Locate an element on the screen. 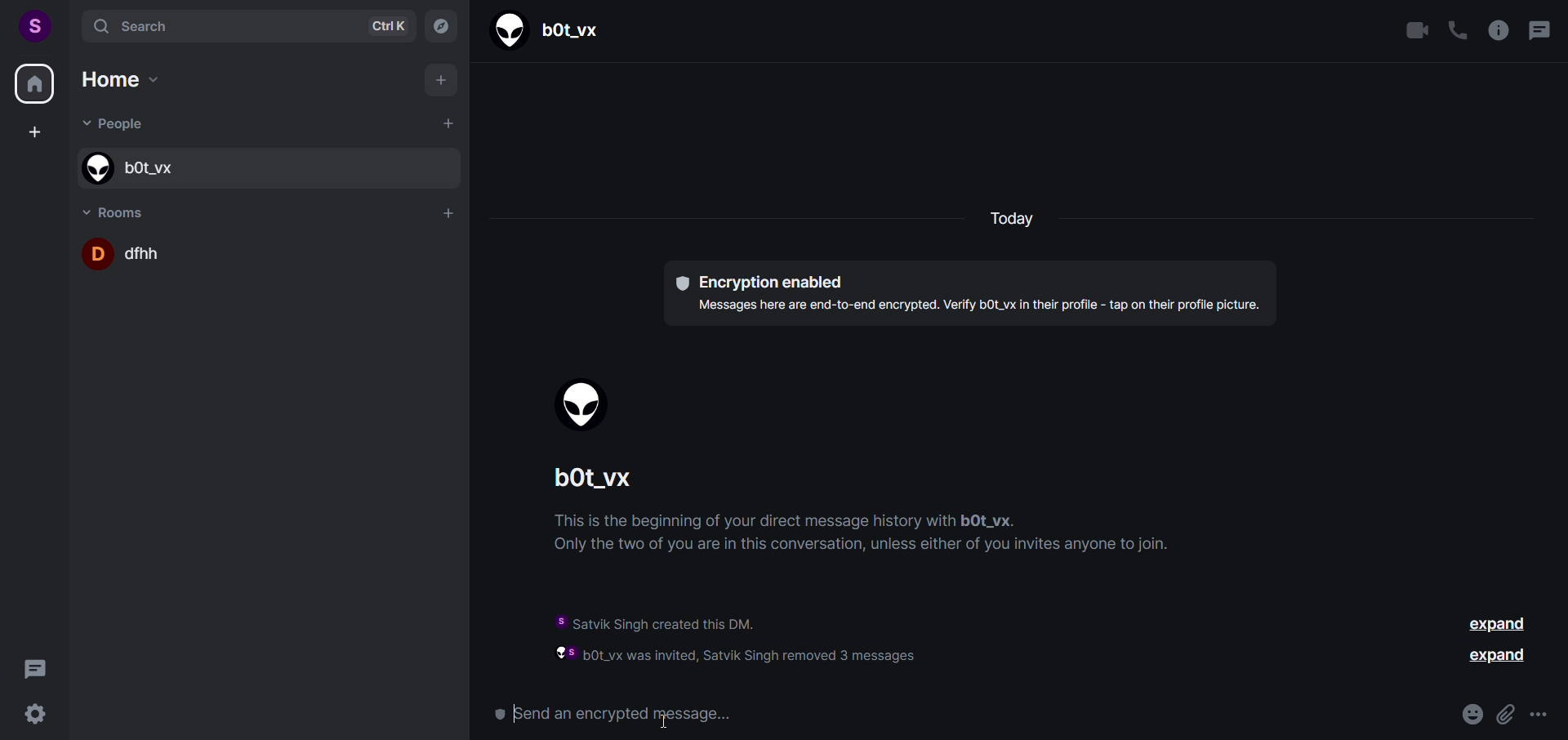  people name is located at coordinates (264, 167).